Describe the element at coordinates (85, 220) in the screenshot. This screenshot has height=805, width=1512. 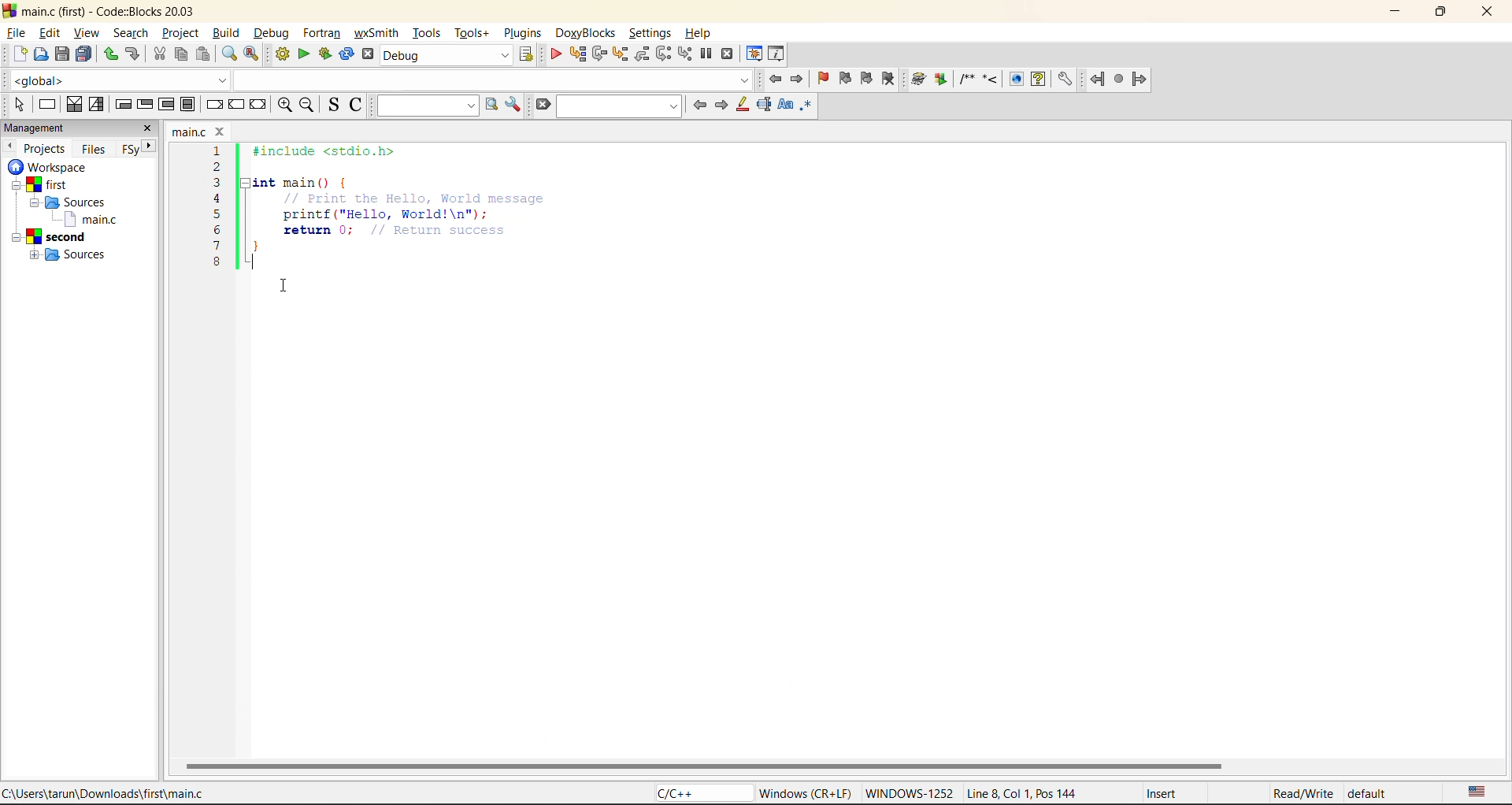
I see `main.c` at that location.